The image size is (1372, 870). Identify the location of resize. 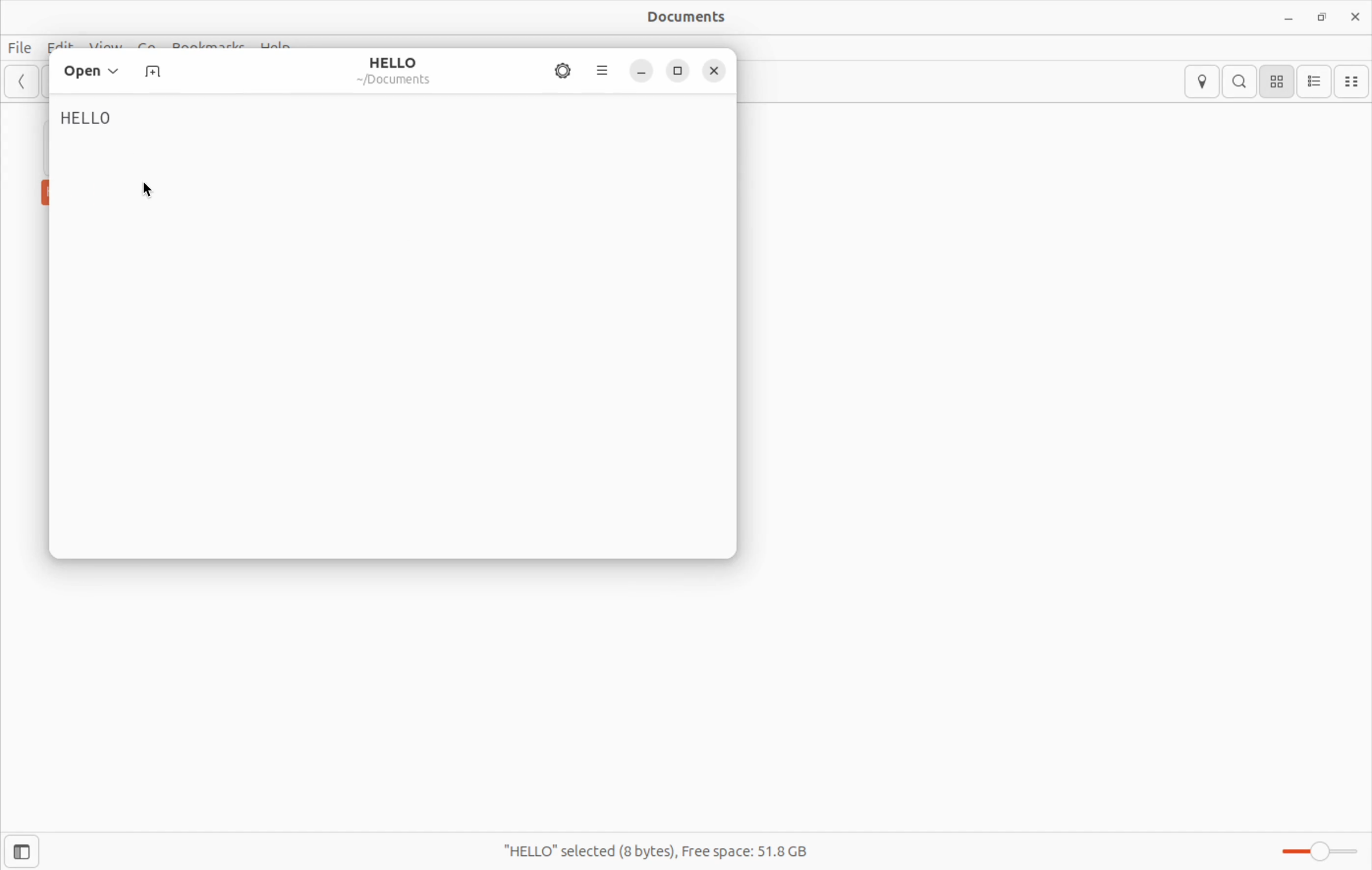
(1321, 17).